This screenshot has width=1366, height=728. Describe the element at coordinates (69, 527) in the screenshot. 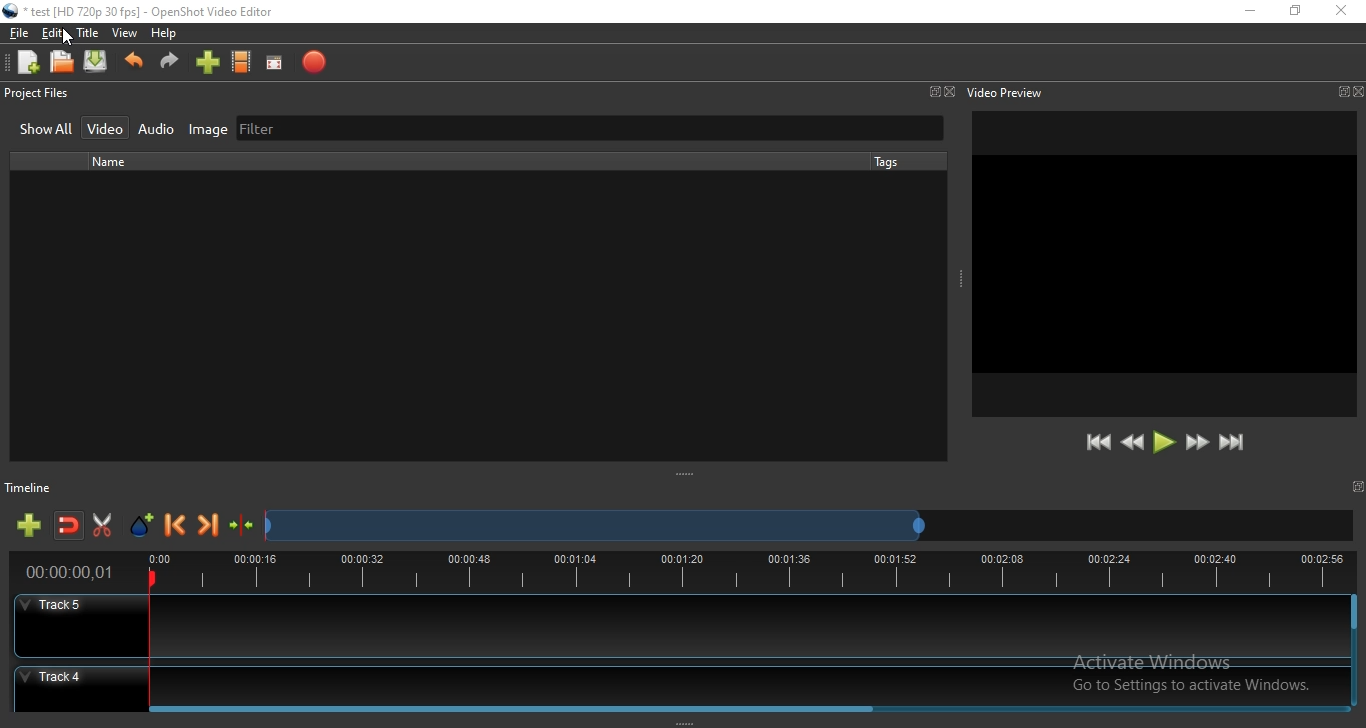

I see `Disable snapping` at that location.